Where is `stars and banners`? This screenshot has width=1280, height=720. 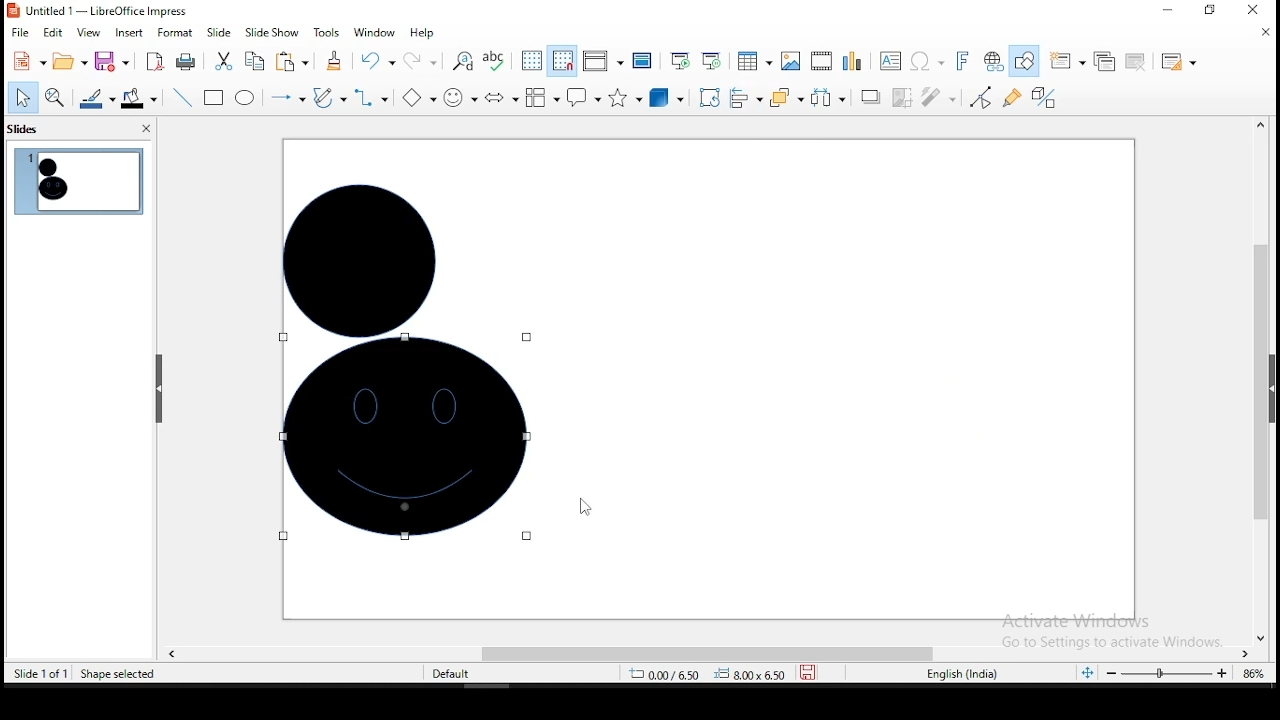
stars and banners is located at coordinates (625, 97).